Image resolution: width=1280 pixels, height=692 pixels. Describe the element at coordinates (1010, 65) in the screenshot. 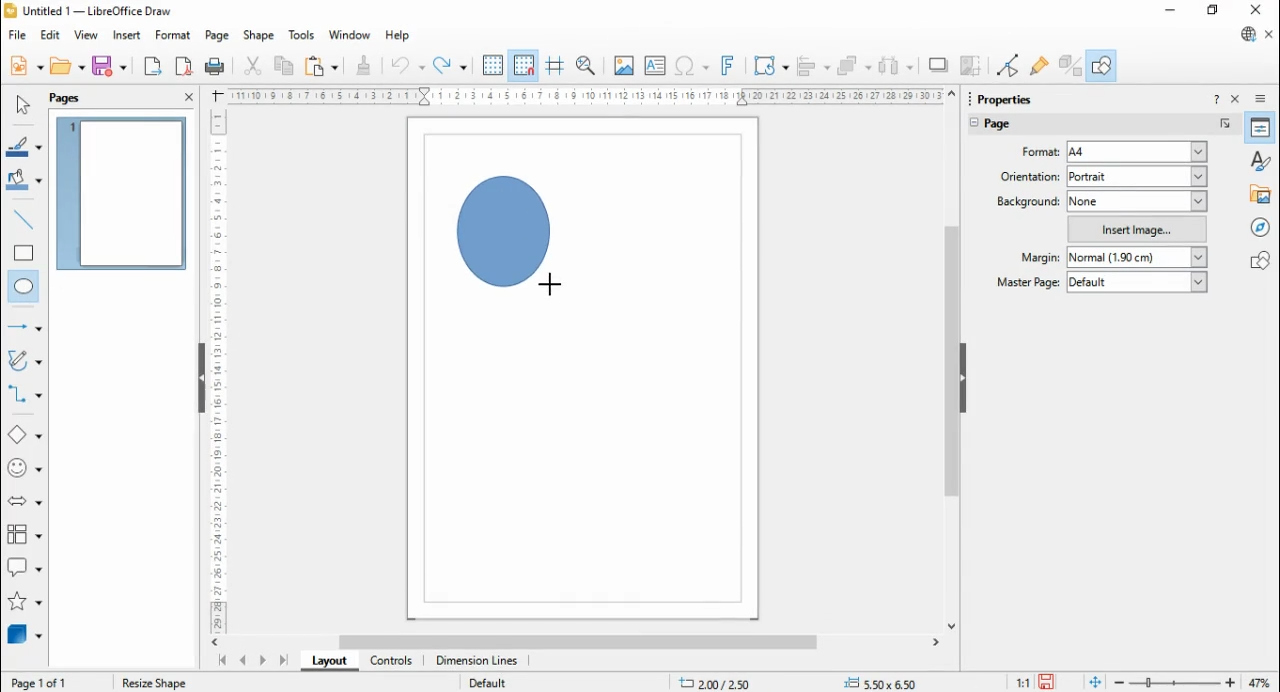

I see `toggle point edit mode` at that location.